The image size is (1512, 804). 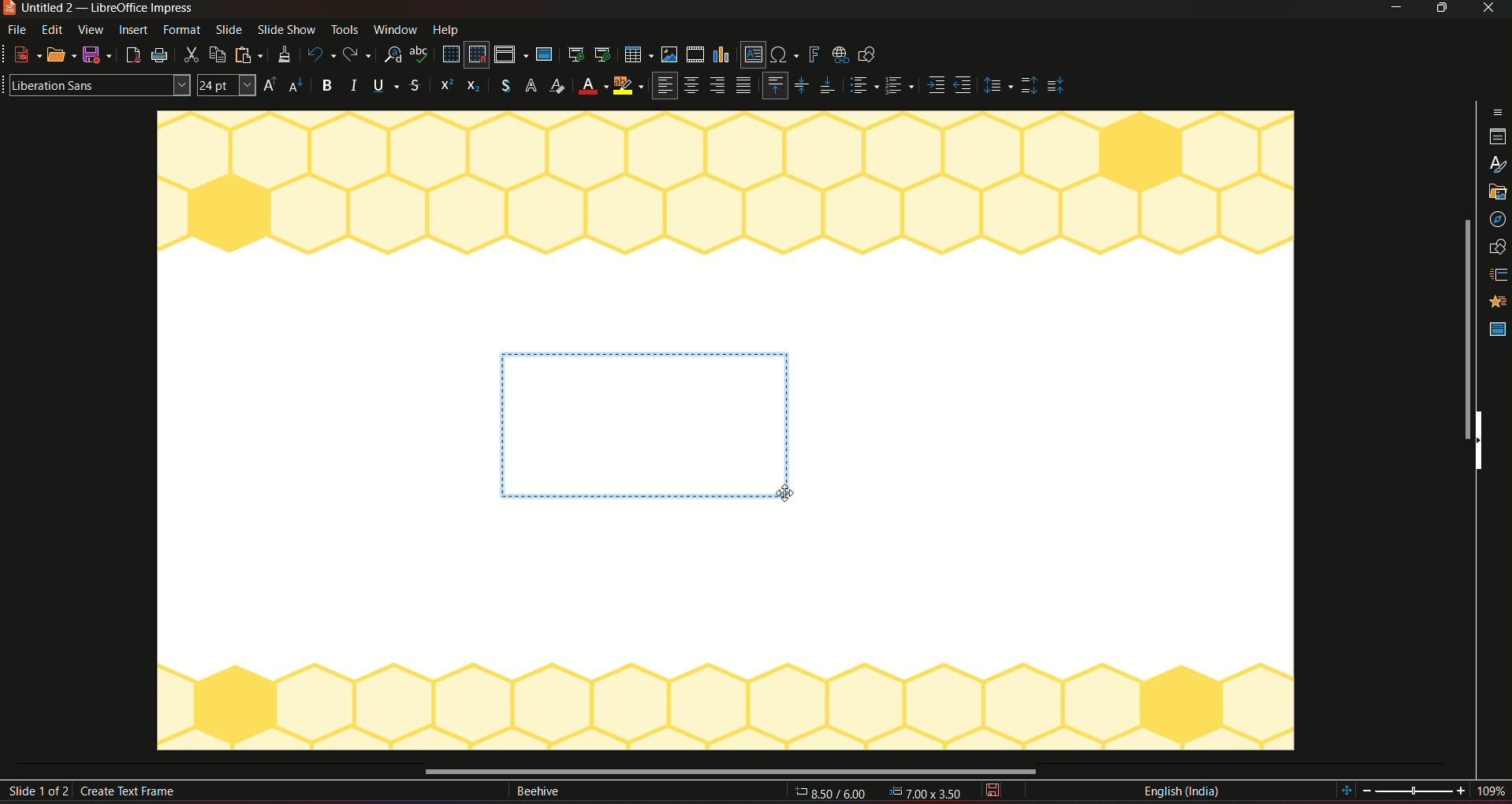 I want to click on tools, so click(x=344, y=31).